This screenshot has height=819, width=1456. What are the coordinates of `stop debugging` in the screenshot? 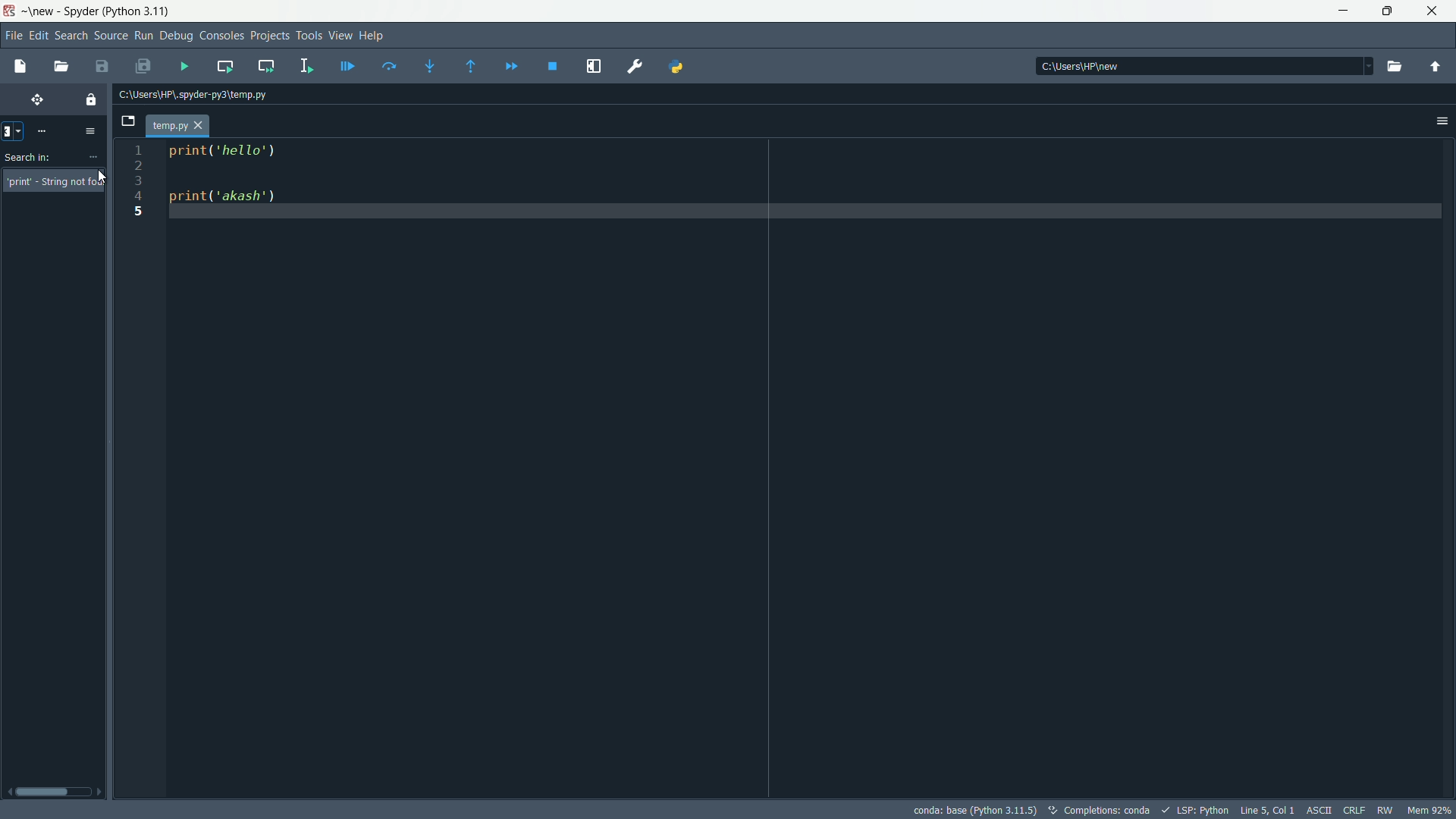 It's located at (551, 65).